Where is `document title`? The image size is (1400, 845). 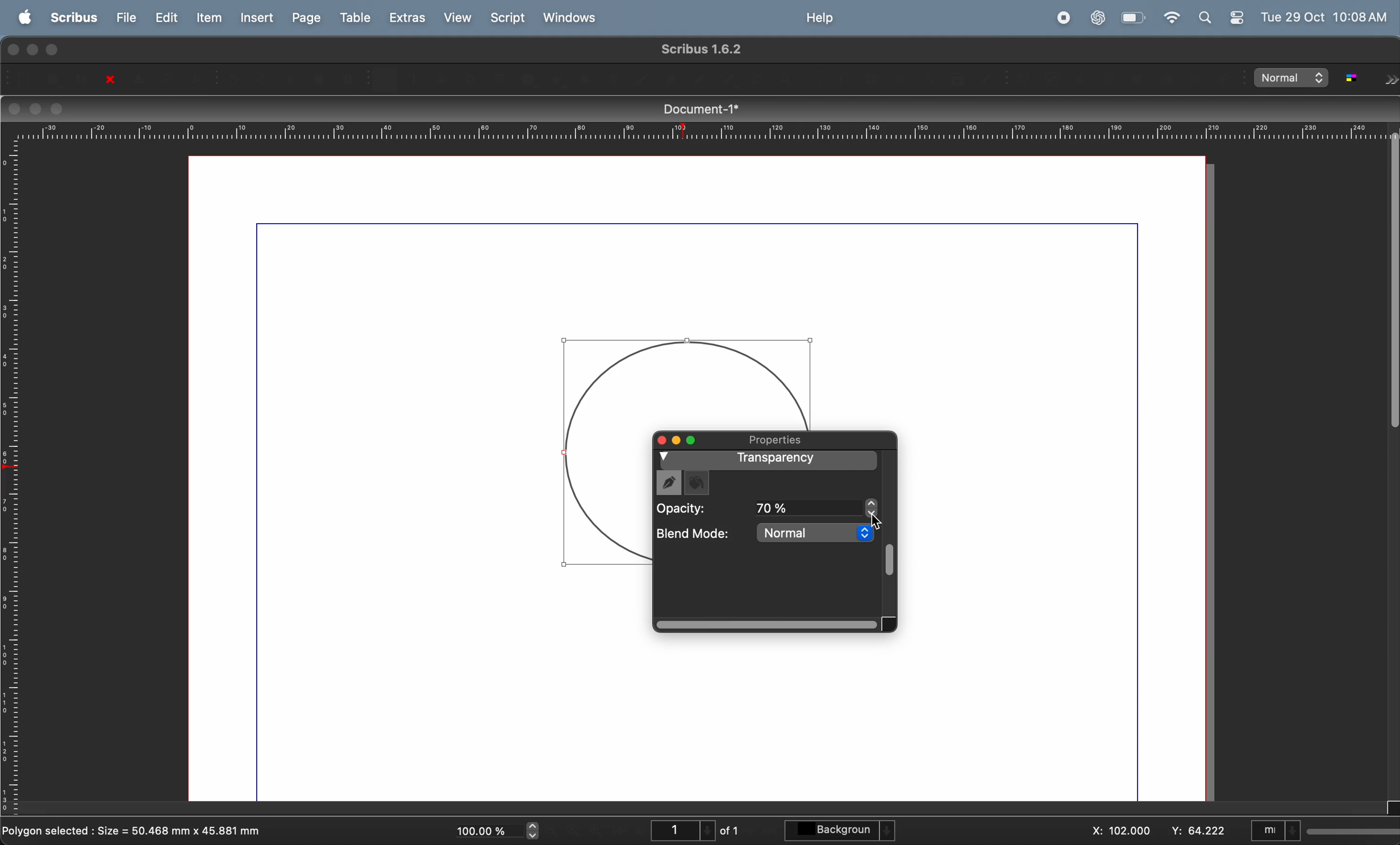
document title is located at coordinates (696, 110).